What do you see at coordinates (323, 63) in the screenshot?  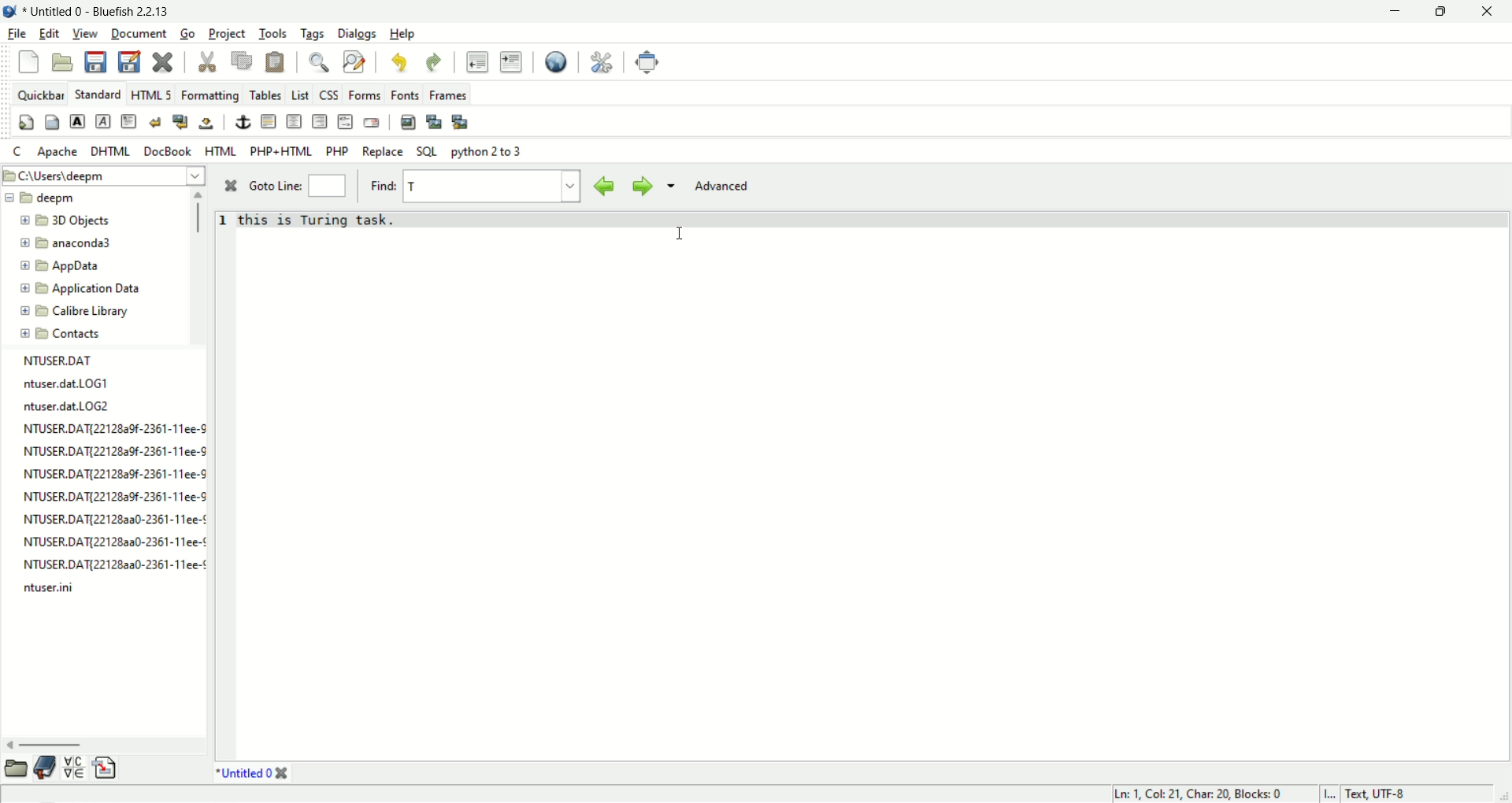 I see `find` at bounding box center [323, 63].